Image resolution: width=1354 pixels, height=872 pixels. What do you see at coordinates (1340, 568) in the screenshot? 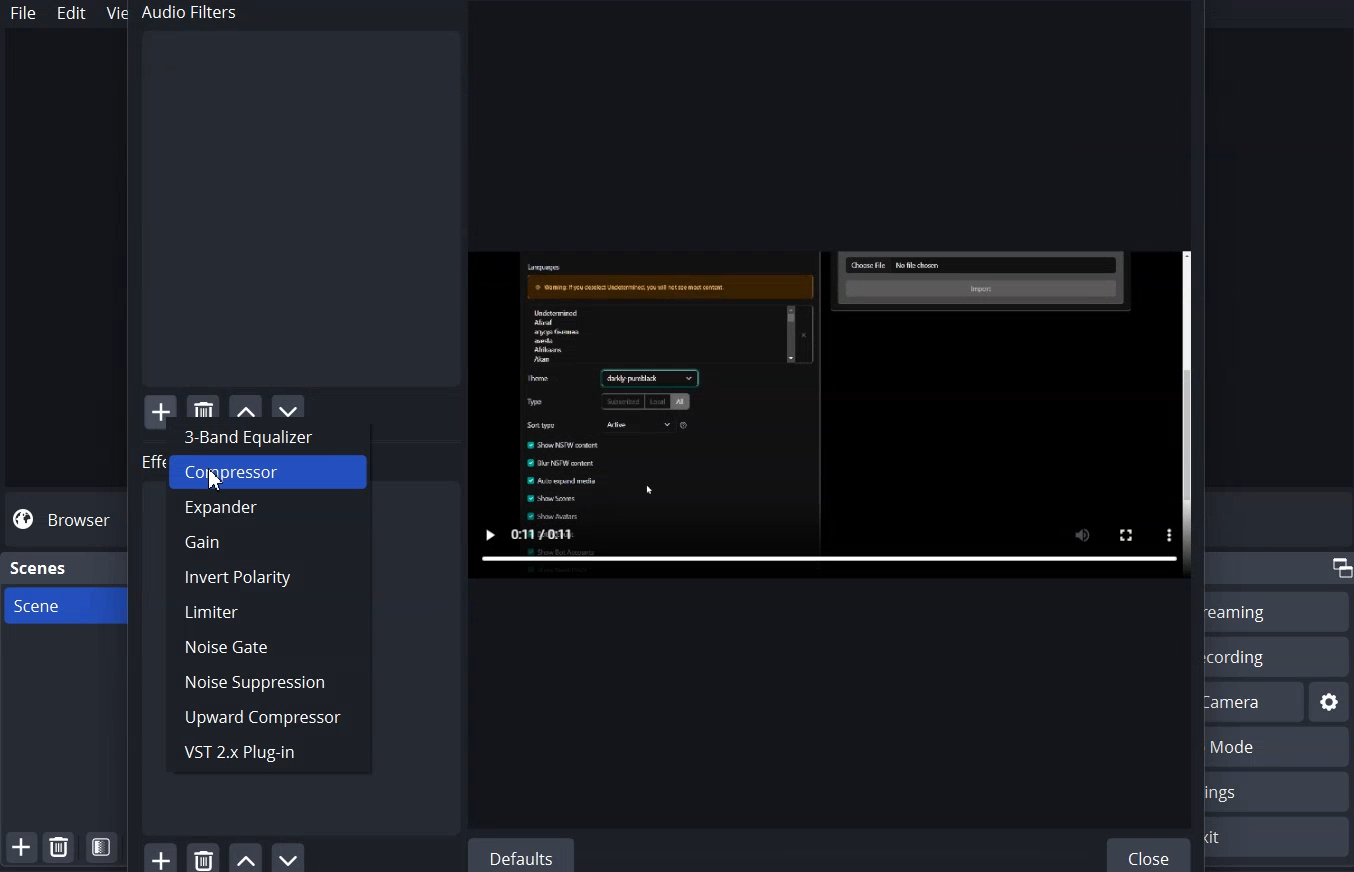
I see `Maximize` at bounding box center [1340, 568].